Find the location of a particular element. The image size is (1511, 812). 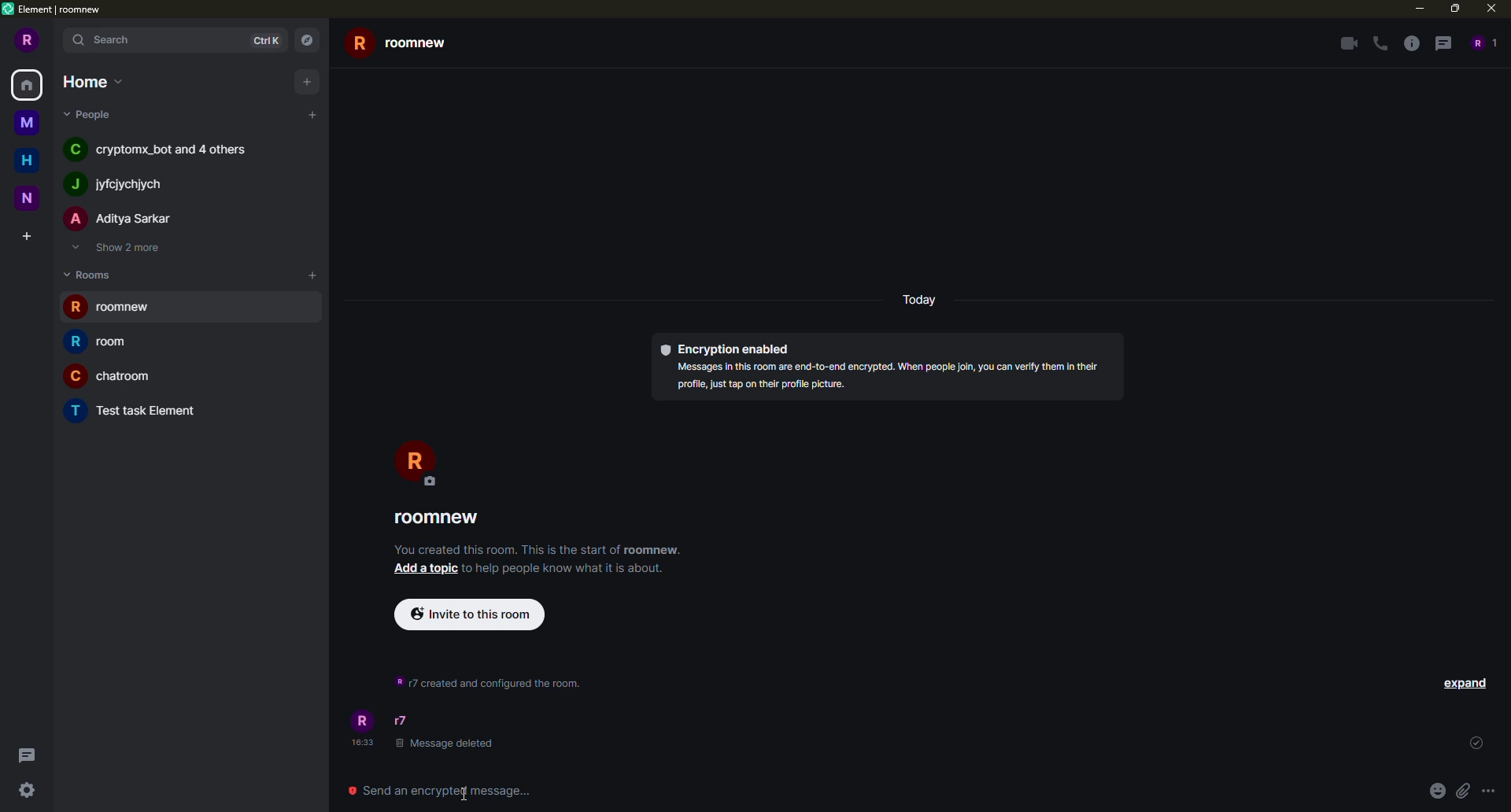

quick settings is located at coordinates (28, 792).